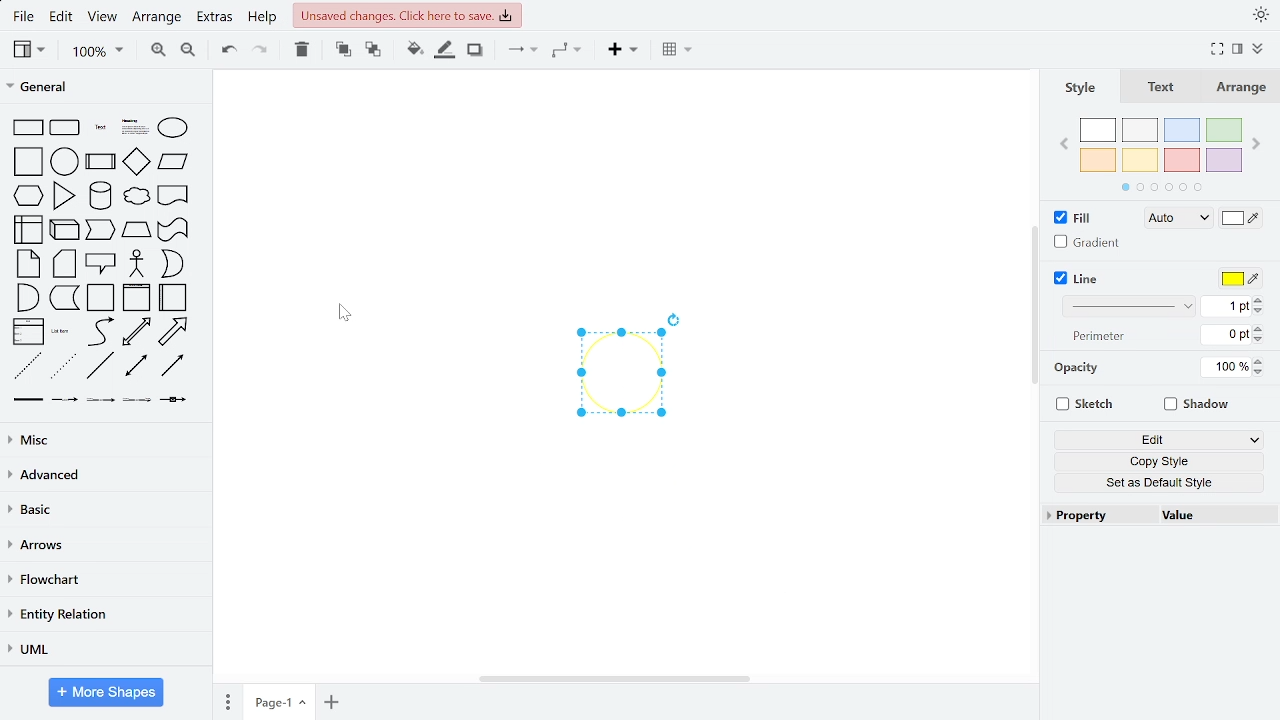 The height and width of the screenshot is (720, 1280). What do you see at coordinates (258, 52) in the screenshot?
I see `redo` at bounding box center [258, 52].